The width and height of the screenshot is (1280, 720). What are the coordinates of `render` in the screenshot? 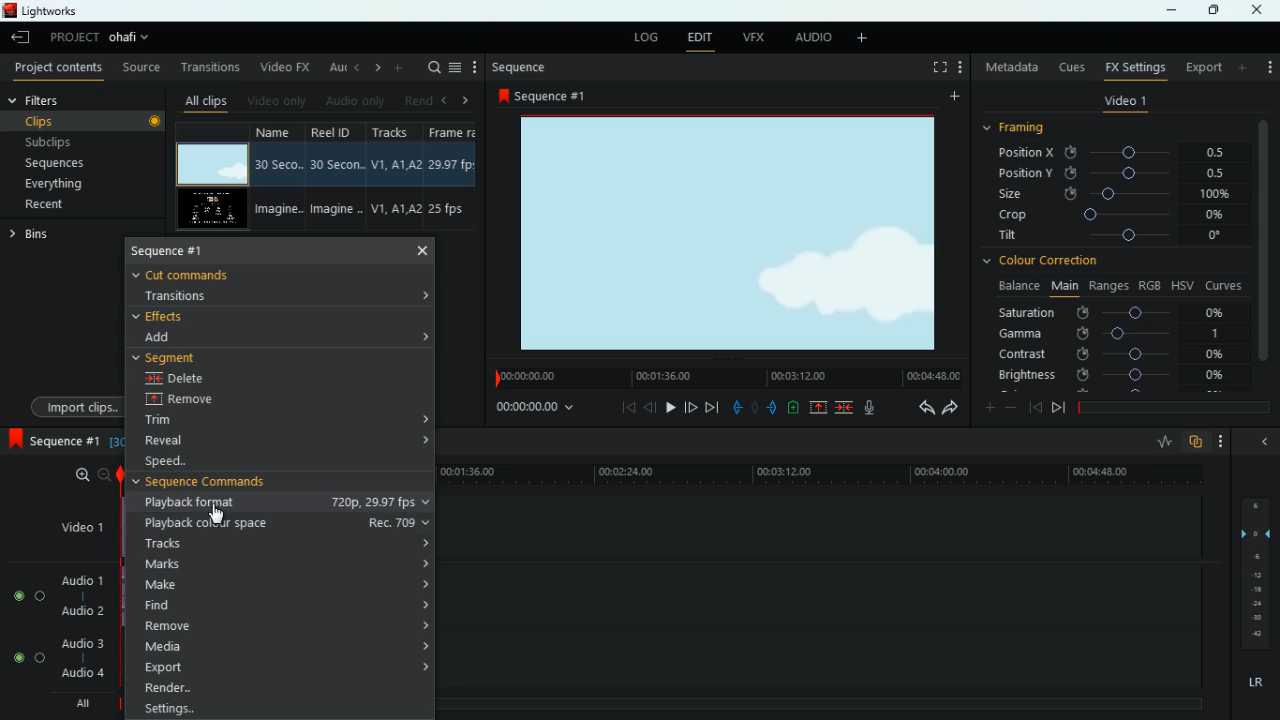 It's located at (289, 689).